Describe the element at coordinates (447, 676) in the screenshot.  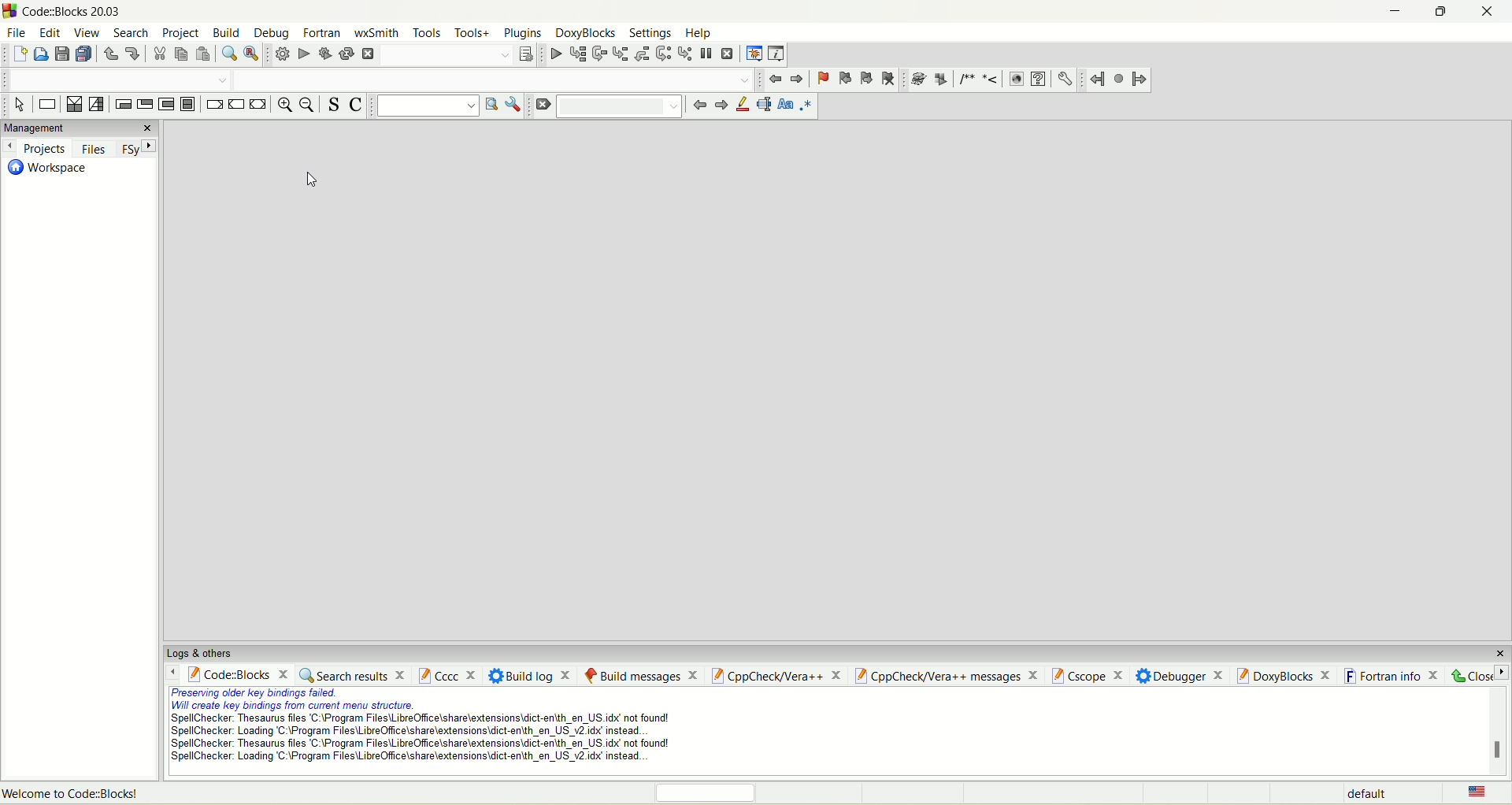
I see `Cccc` at that location.